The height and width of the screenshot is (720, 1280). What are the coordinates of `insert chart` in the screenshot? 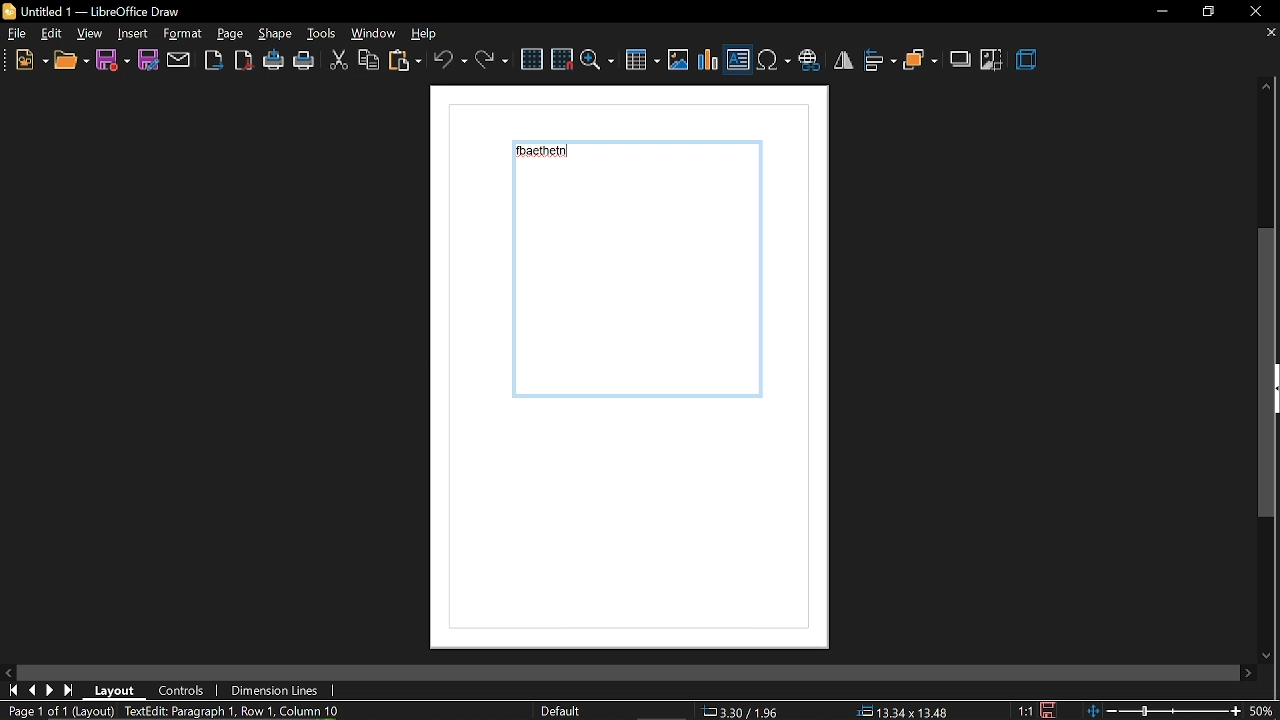 It's located at (709, 61).